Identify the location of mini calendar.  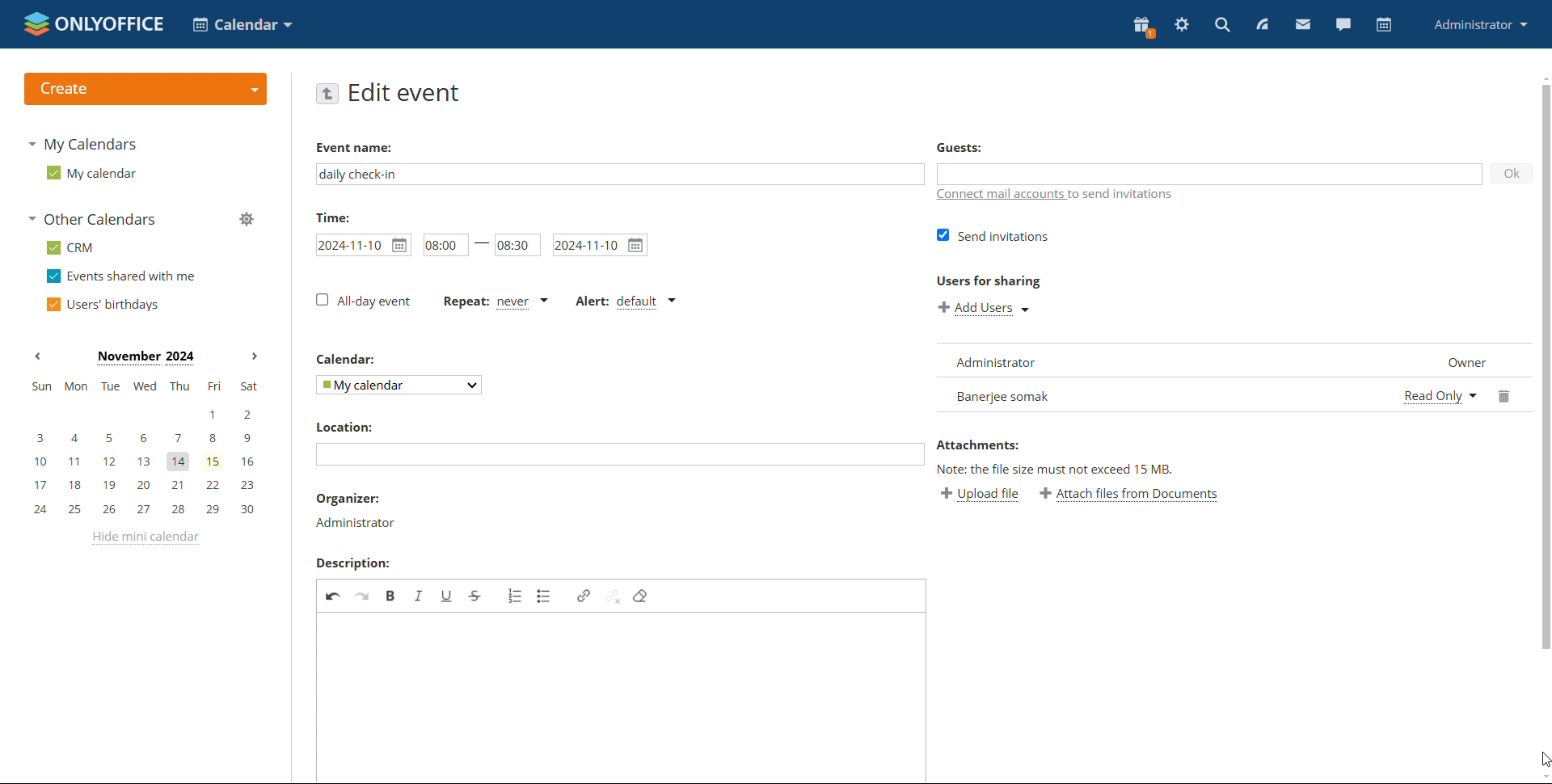
(144, 449).